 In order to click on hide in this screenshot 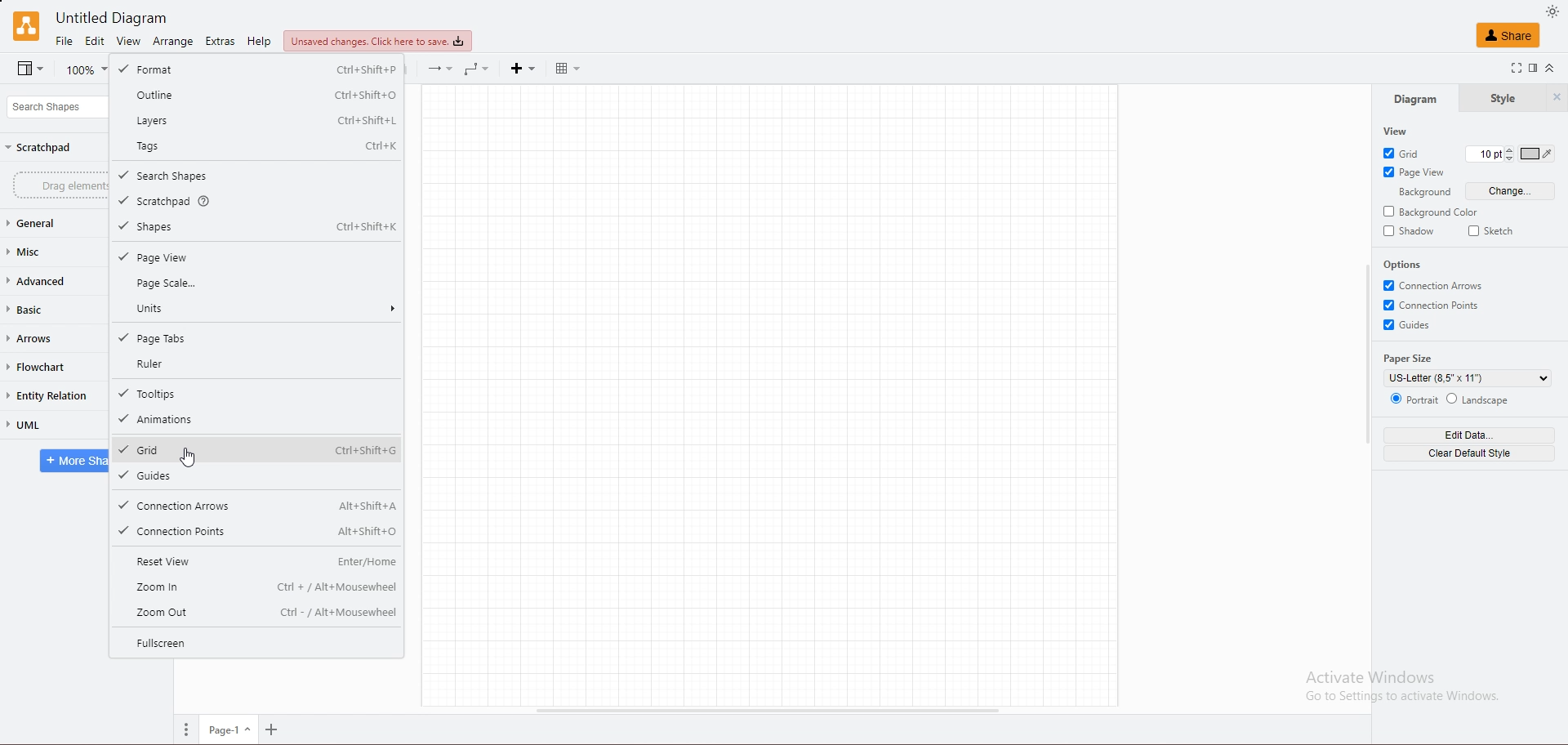, I will do `click(1557, 99)`.